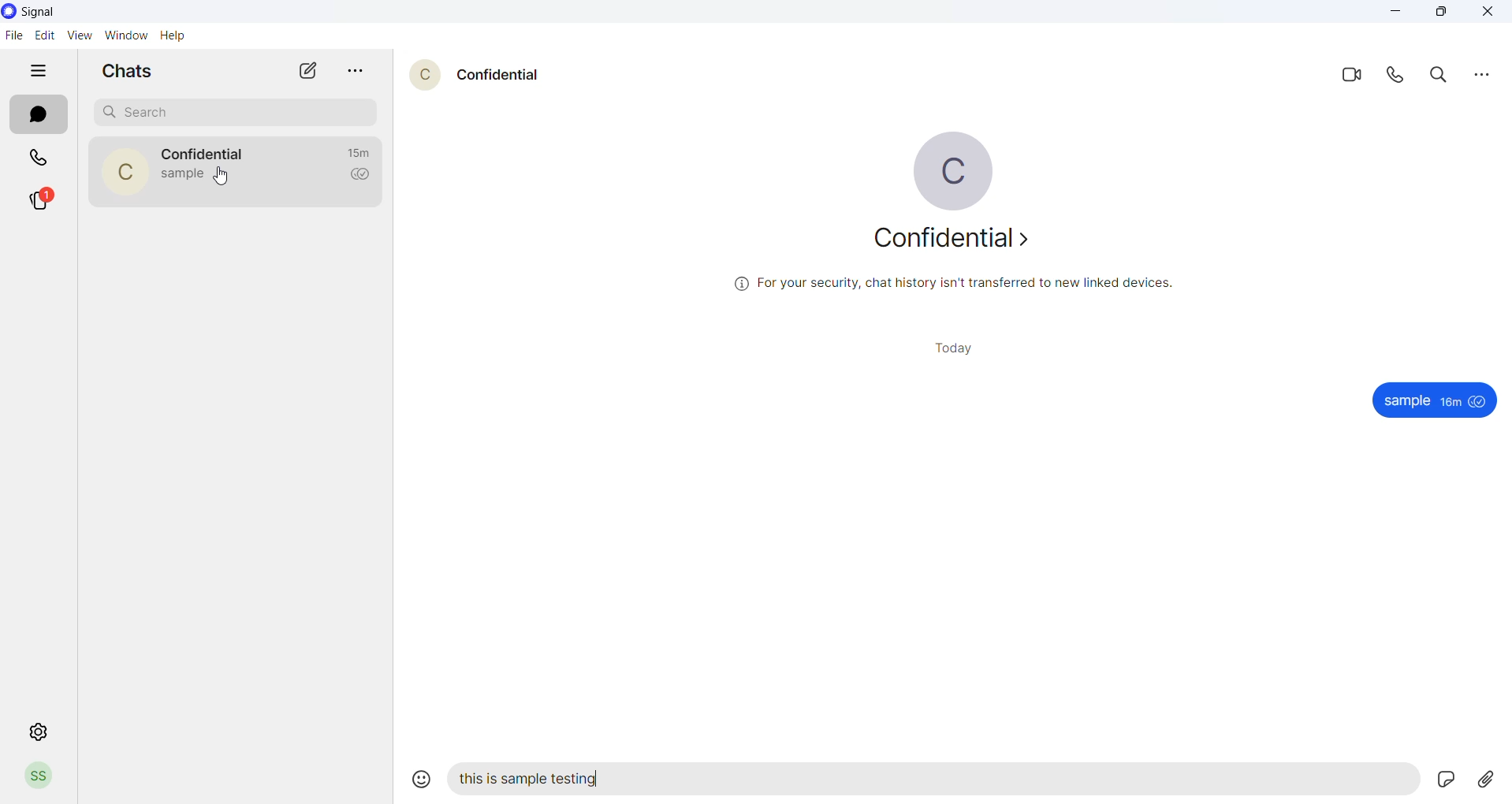 Image resolution: width=1512 pixels, height=804 pixels. I want to click on confidential, so click(203, 154).